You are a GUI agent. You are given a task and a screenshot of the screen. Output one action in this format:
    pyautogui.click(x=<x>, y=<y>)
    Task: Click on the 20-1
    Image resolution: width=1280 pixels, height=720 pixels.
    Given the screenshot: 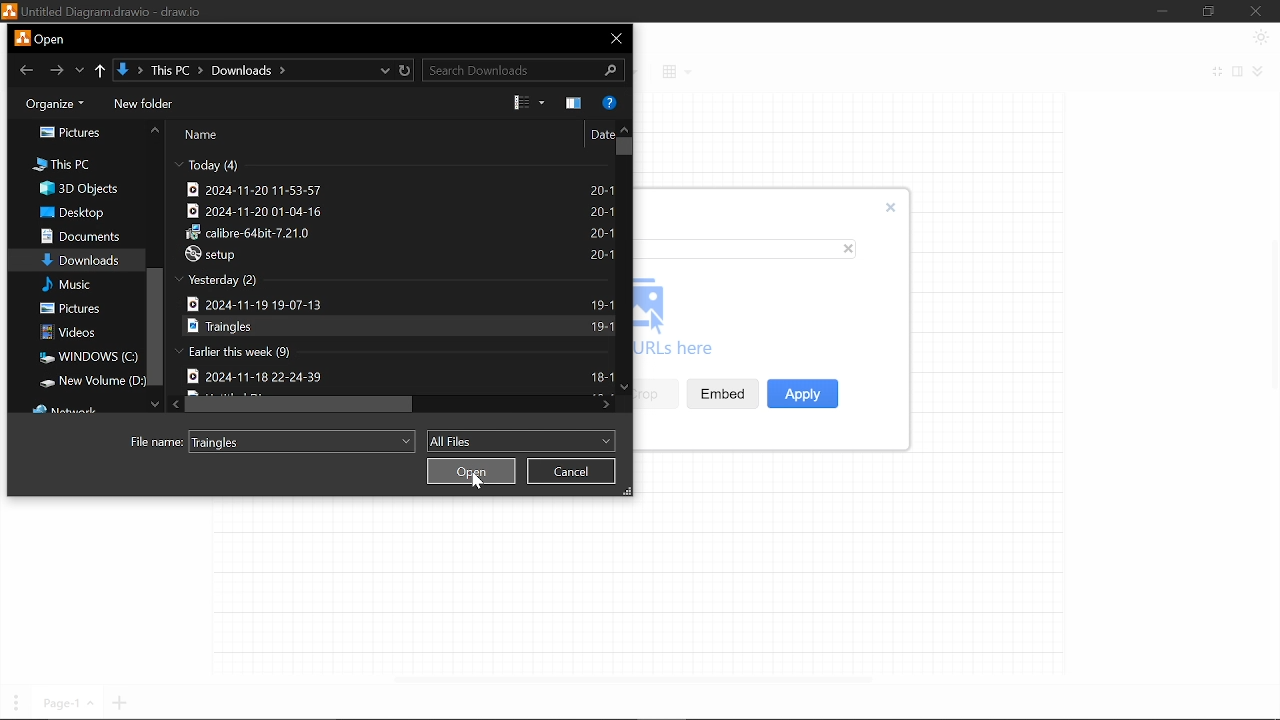 What is the action you would take?
    pyautogui.click(x=601, y=234)
    